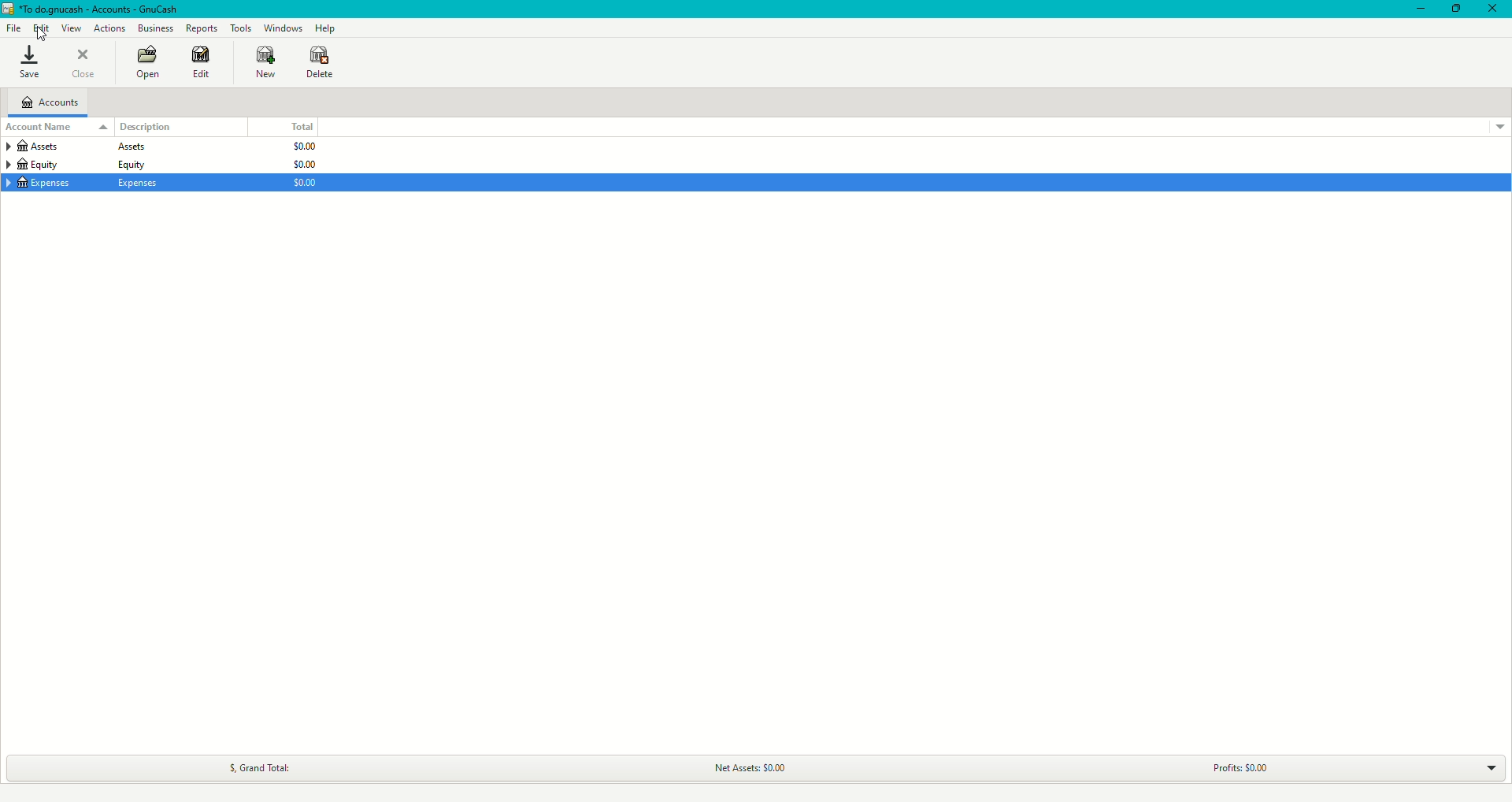  Describe the element at coordinates (1421, 9) in the screenshot. I see `Minimize` at that location.